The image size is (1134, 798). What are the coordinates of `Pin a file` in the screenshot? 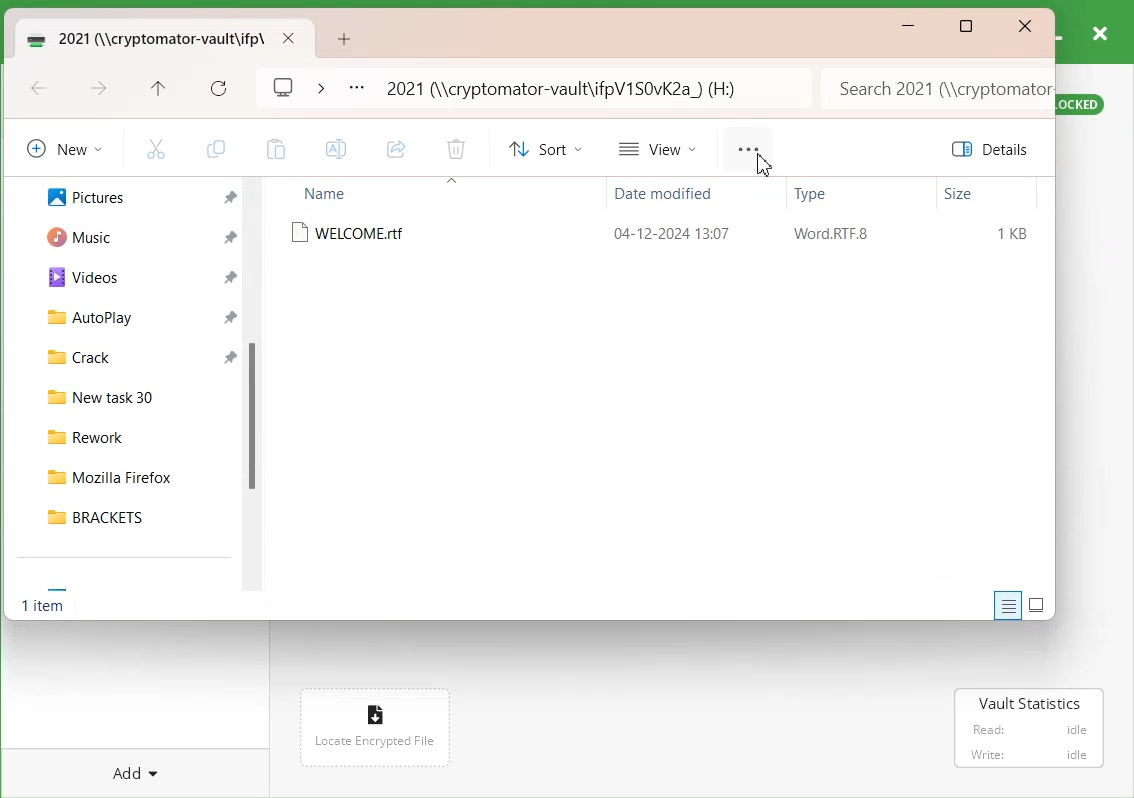 It's located at (232, 357).